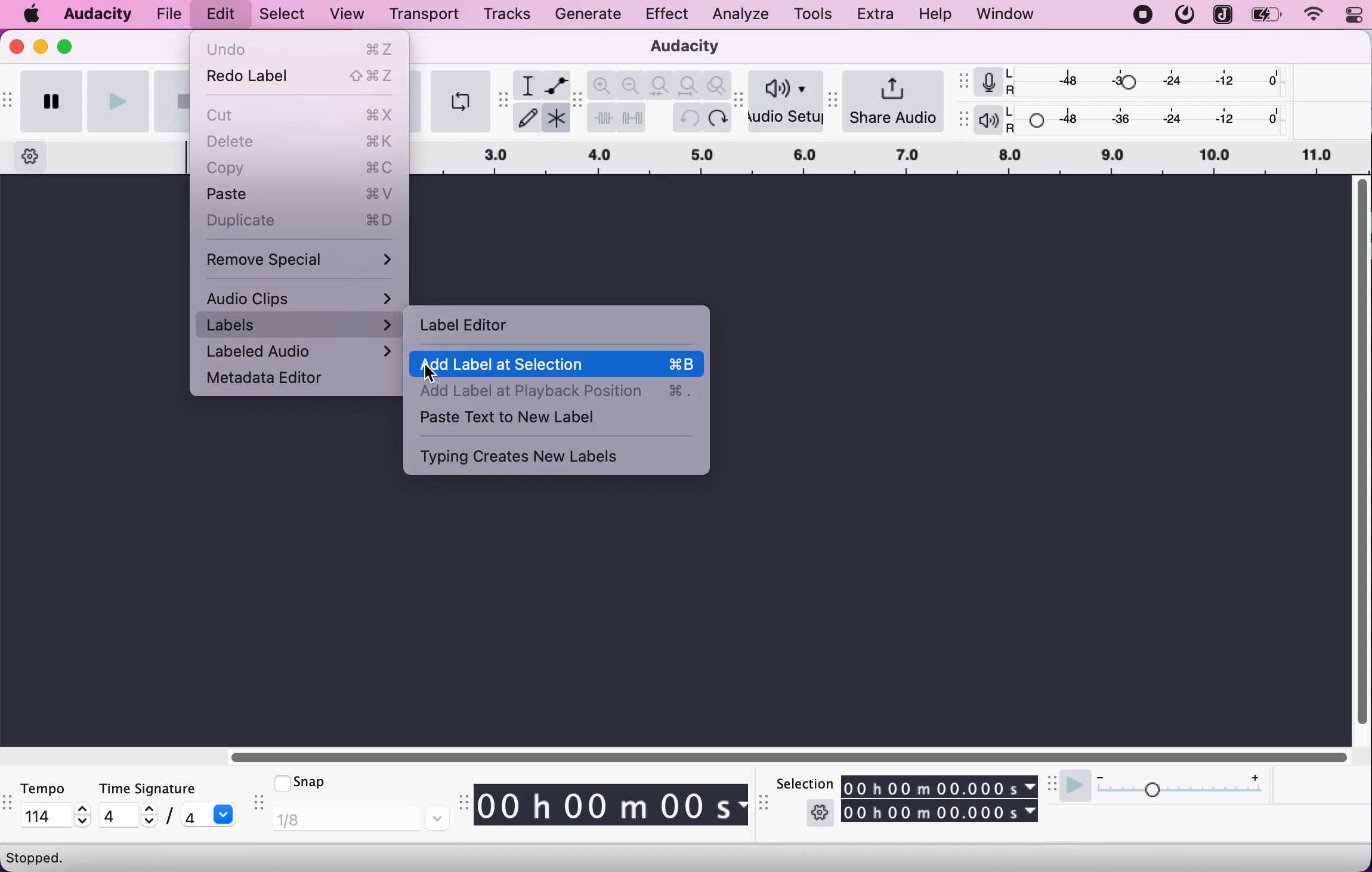 Image resolution: width=1372 pixels, height=872 pixels. I want to click on selection, so click(803, 783).